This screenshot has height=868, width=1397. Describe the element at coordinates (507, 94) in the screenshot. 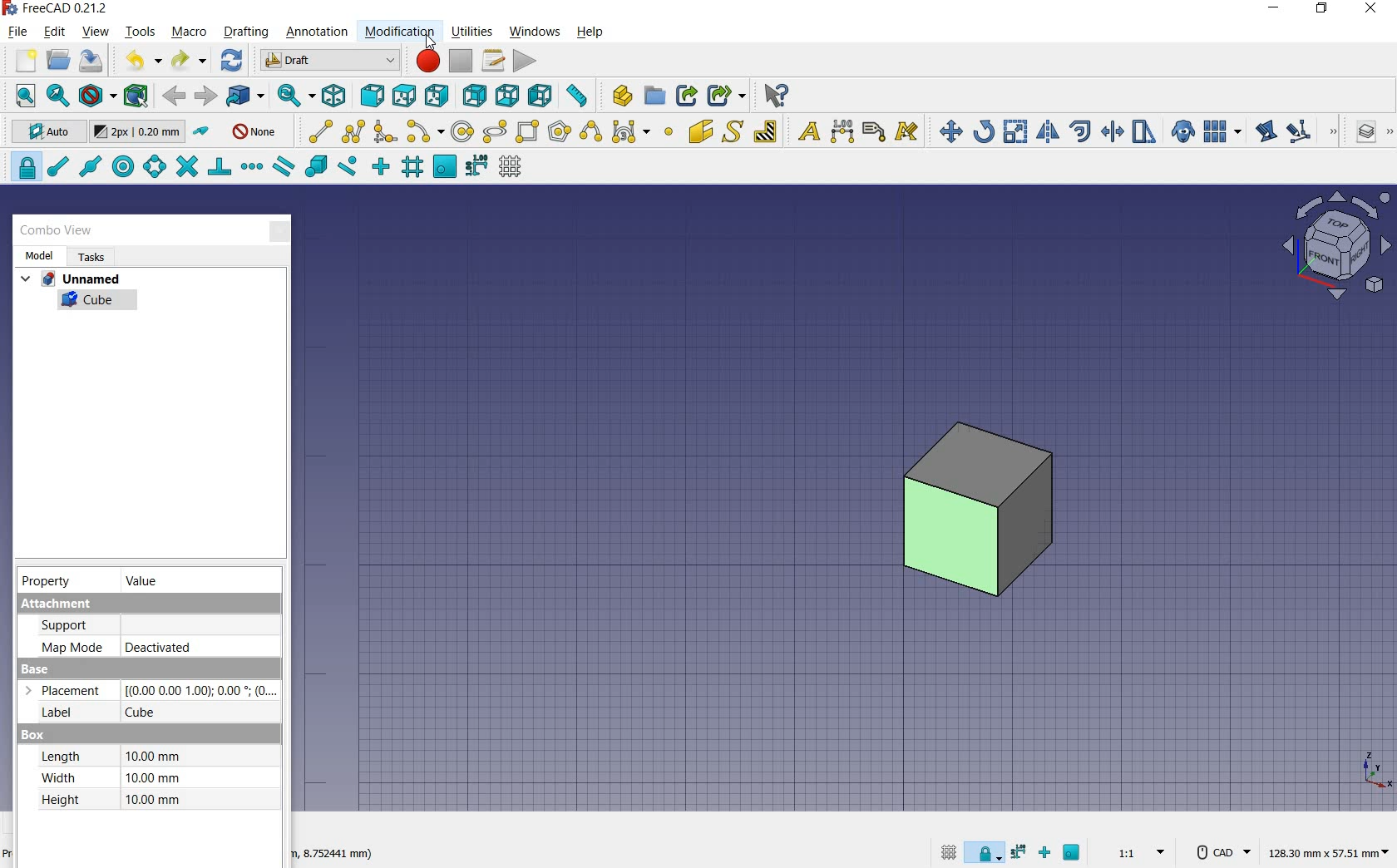

I see `bottom` at that location.